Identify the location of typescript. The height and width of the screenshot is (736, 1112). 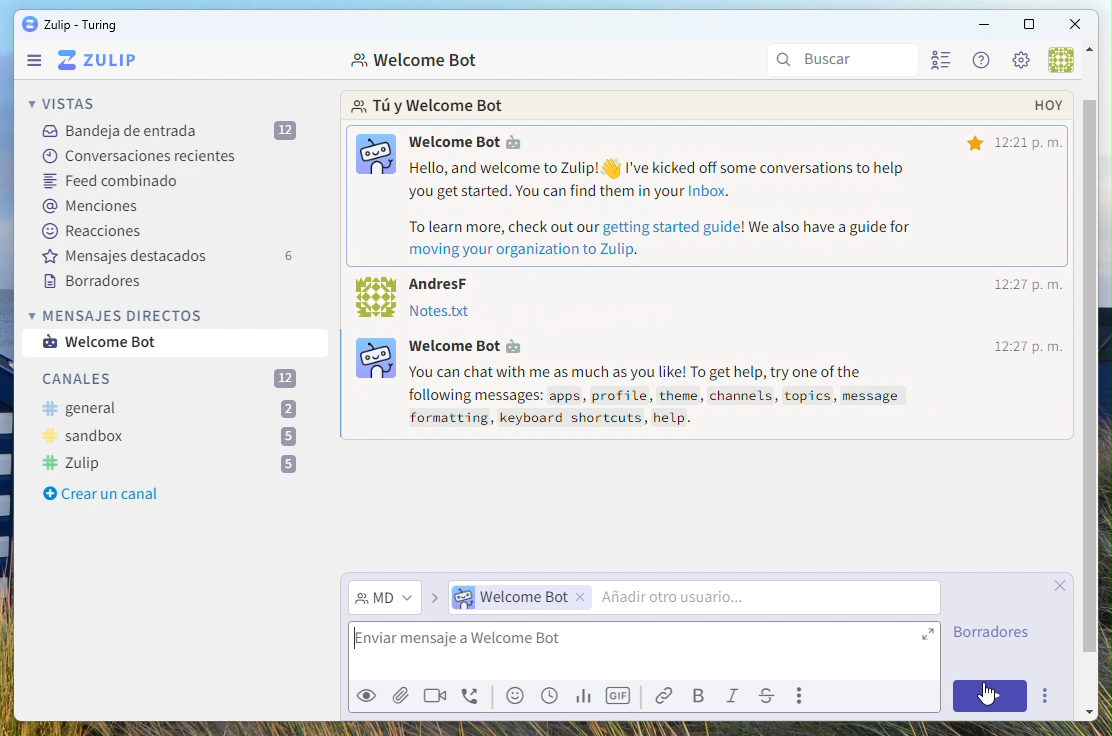
(767, 697).